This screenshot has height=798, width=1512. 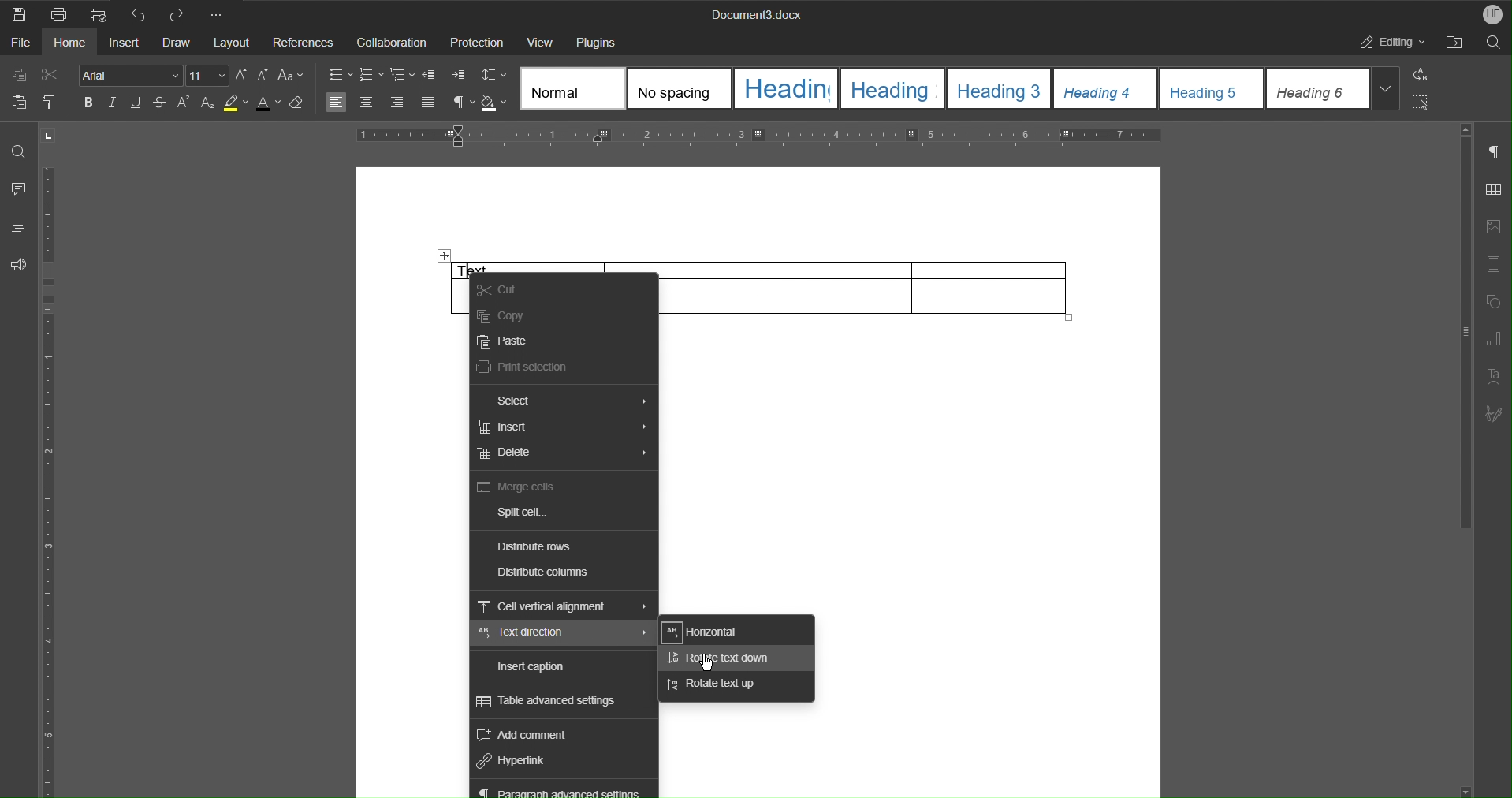 I want to click on Quick Print, so click(x=97, y=13).